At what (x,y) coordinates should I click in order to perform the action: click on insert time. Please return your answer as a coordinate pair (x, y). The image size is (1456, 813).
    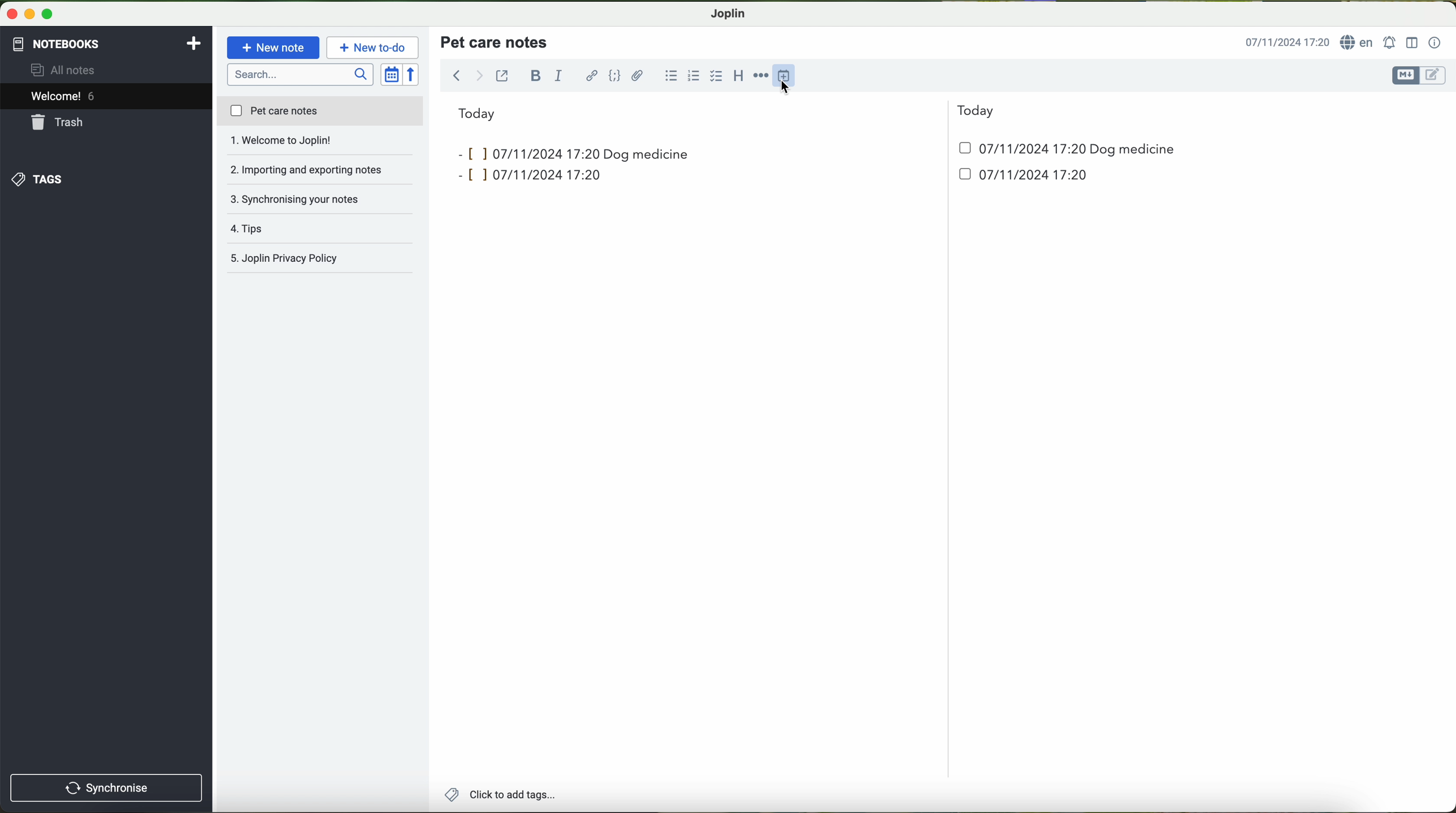
    Looking at the image, I should click on (789, 75).